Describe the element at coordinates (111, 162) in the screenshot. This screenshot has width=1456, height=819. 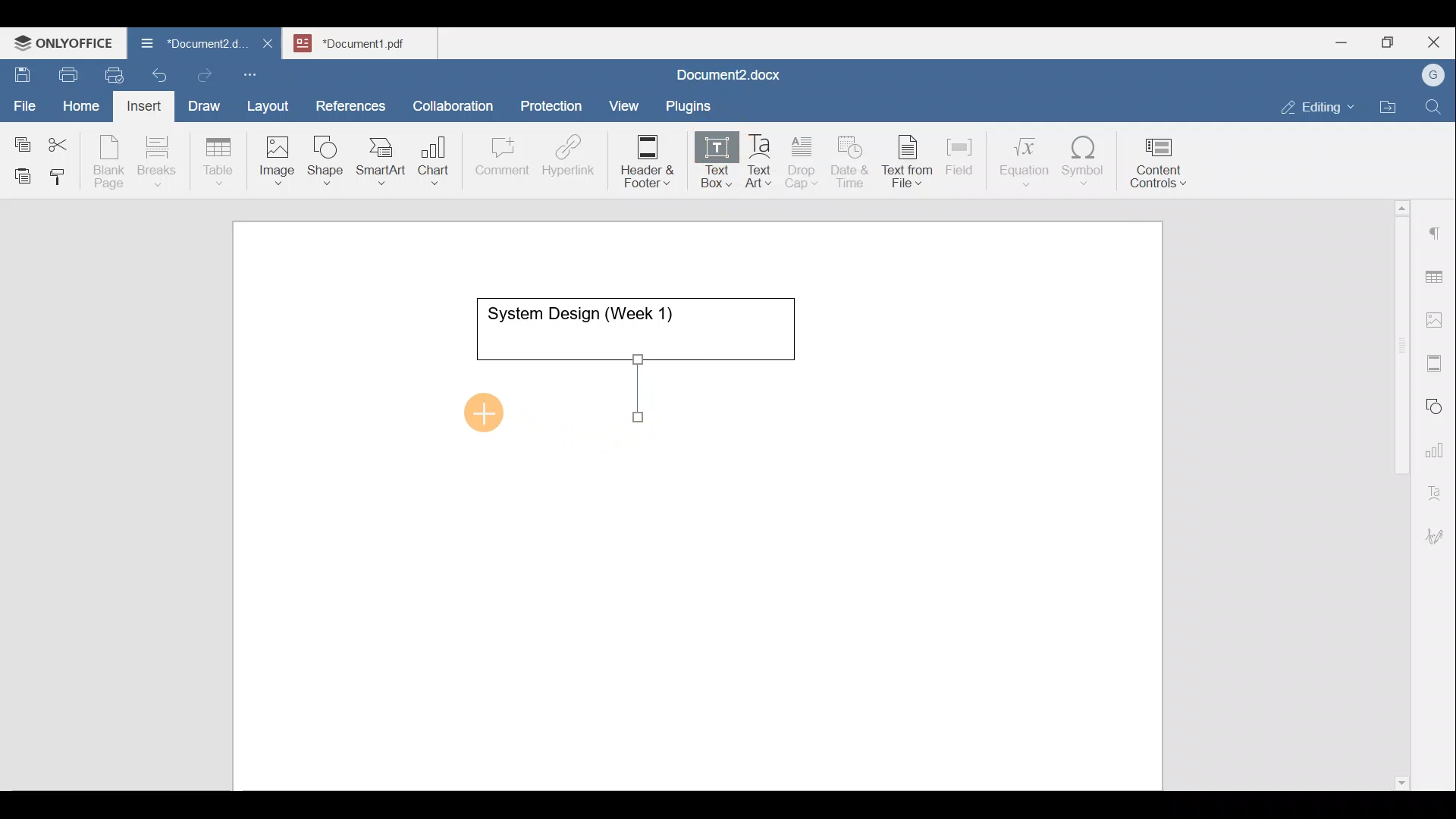
I see `Blank page` at that location.